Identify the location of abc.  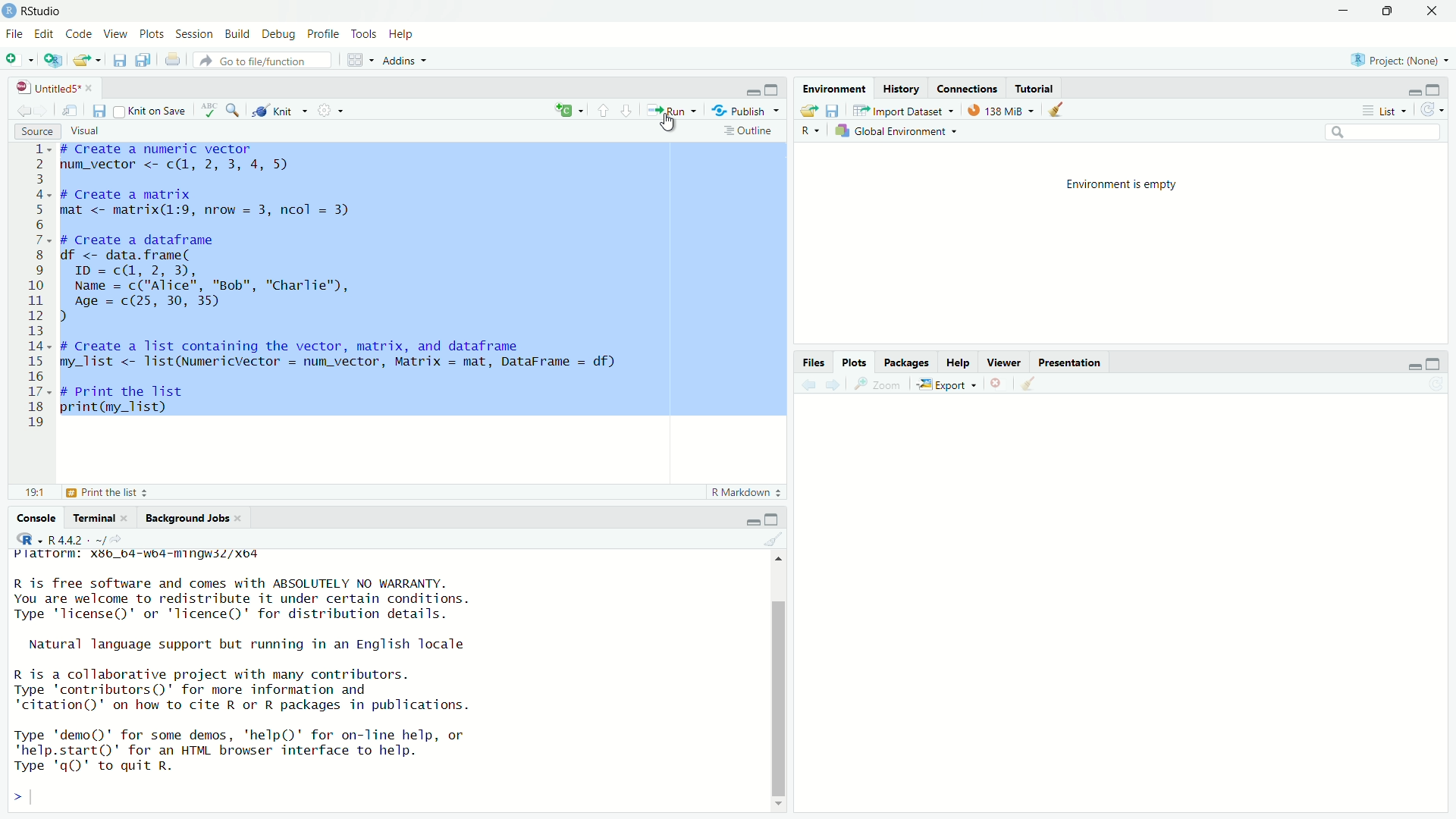
(212, 109).